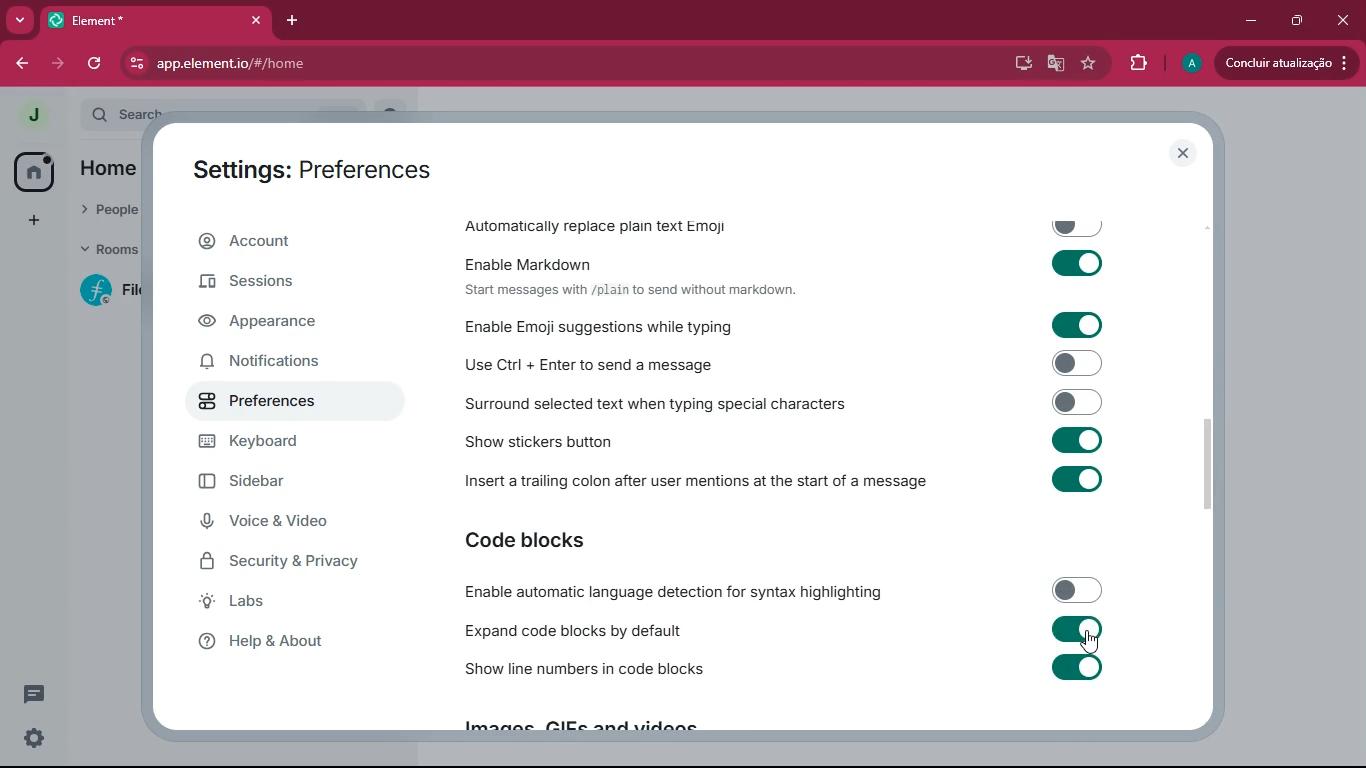  What do you see at coordinates (94, 65) in the screenshot?
I see `refresh` at bounding box center [94, 65].